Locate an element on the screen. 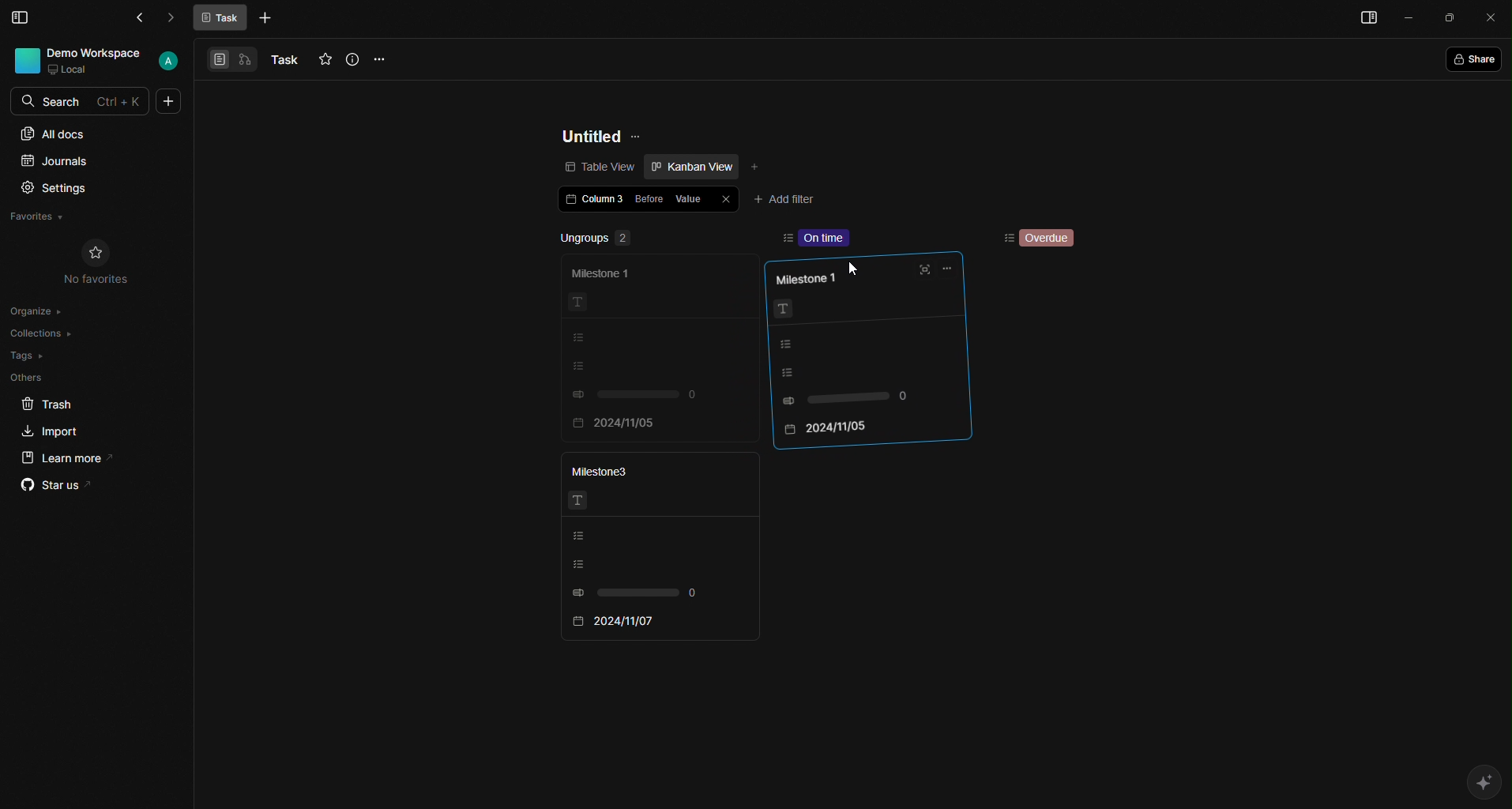  Ungroups is located at coordinates (627, 238).